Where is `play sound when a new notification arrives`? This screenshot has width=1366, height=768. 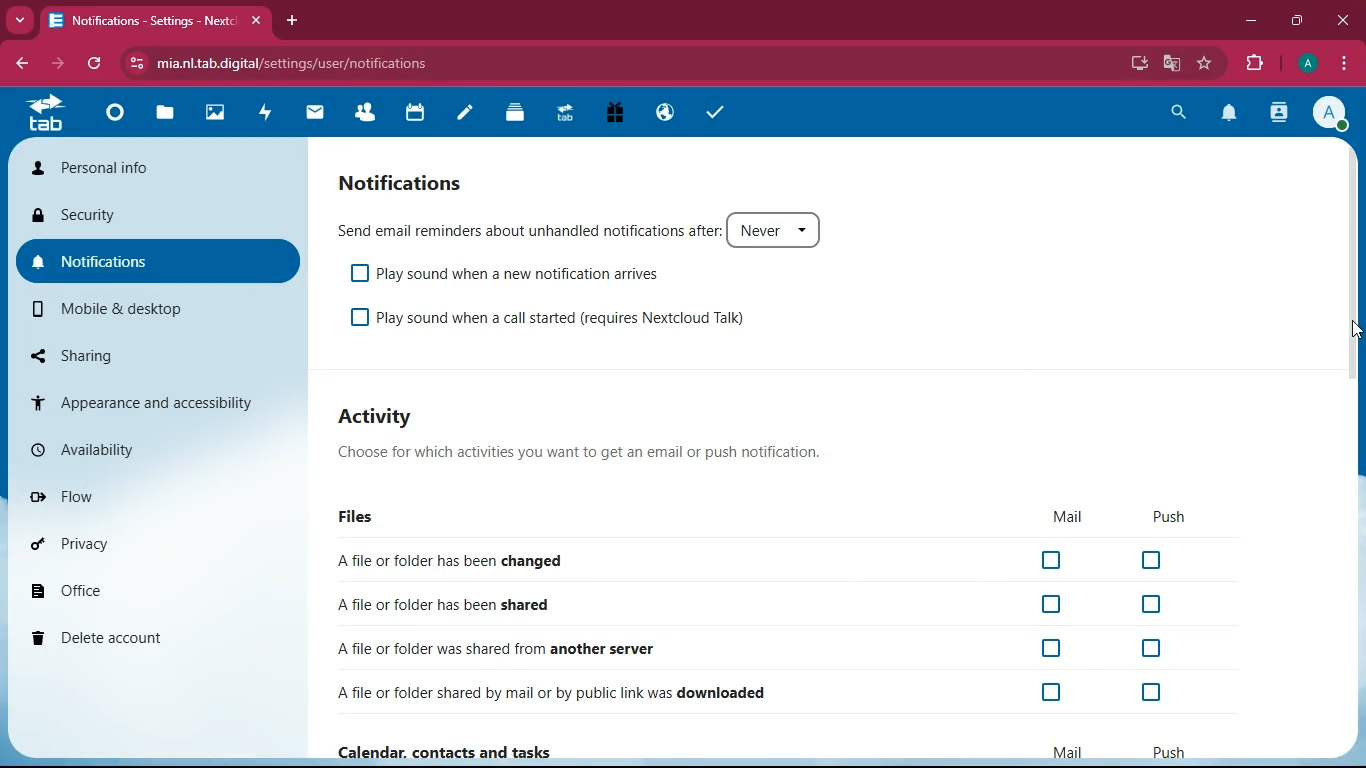
play sound when a new notification arrives is located at coordinates (519, 274).